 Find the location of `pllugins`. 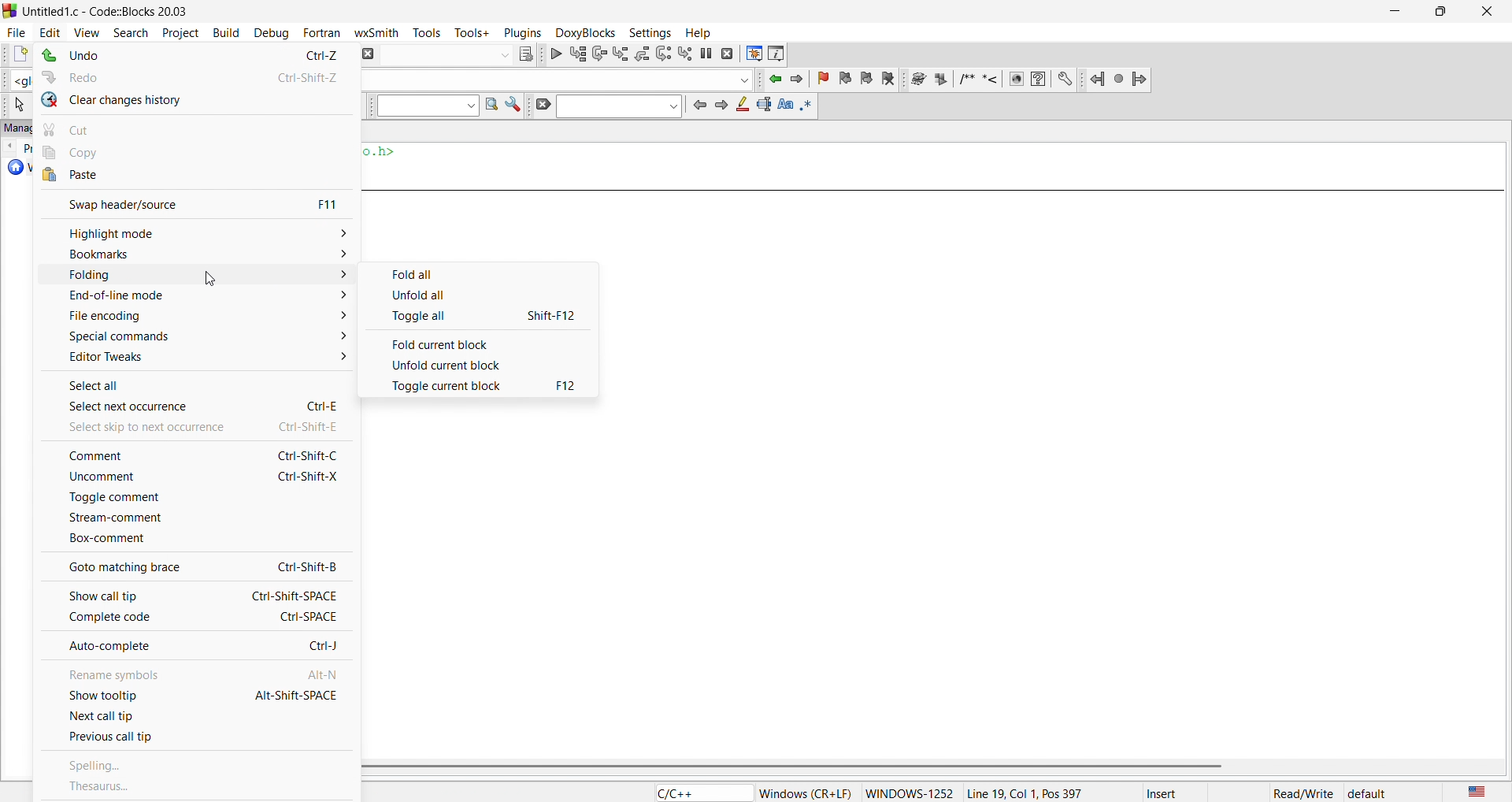

pllugins is located at coordinates (520, 31).